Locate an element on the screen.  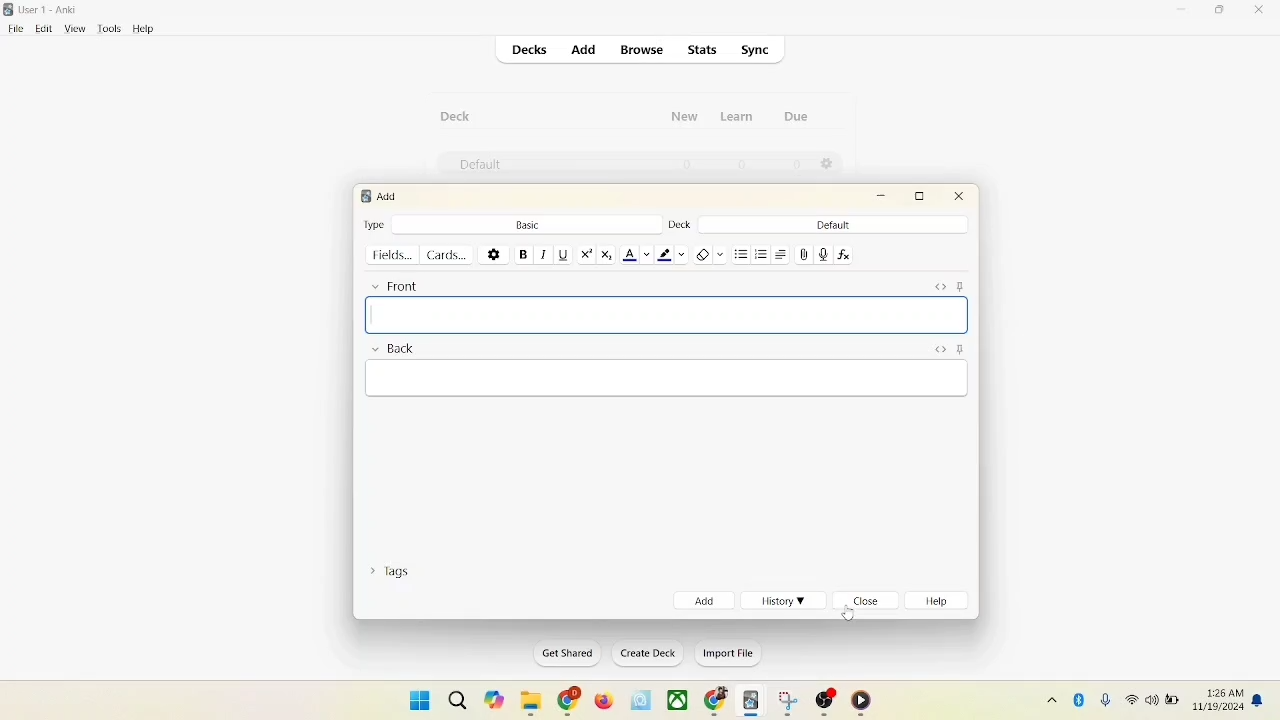
text color is located at coordinates (636, 255).